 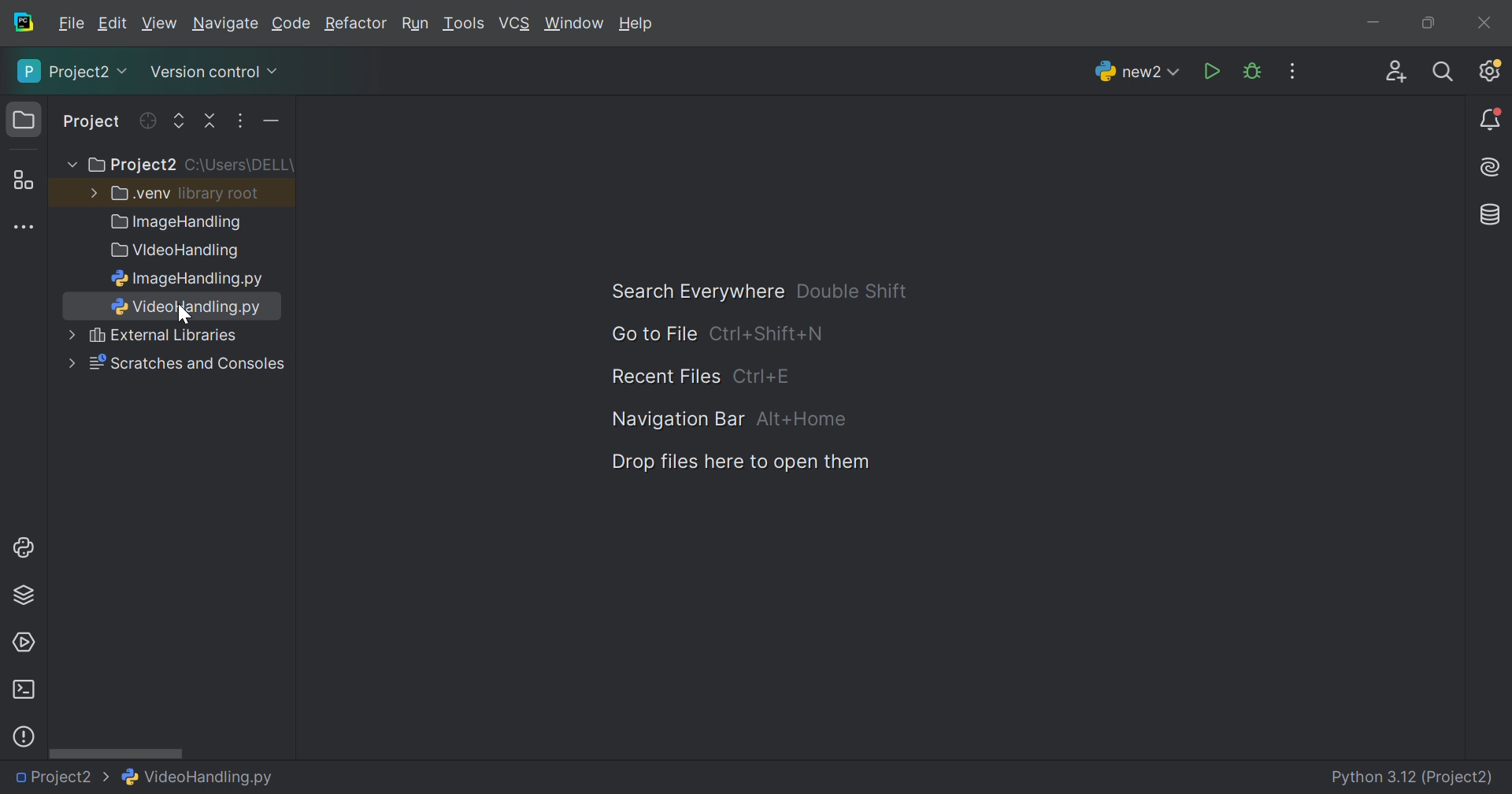 What do you see at coordinates (1444, 72) in the screenshot?
I see `Search everywhere` at bounding box center [1444, 72].